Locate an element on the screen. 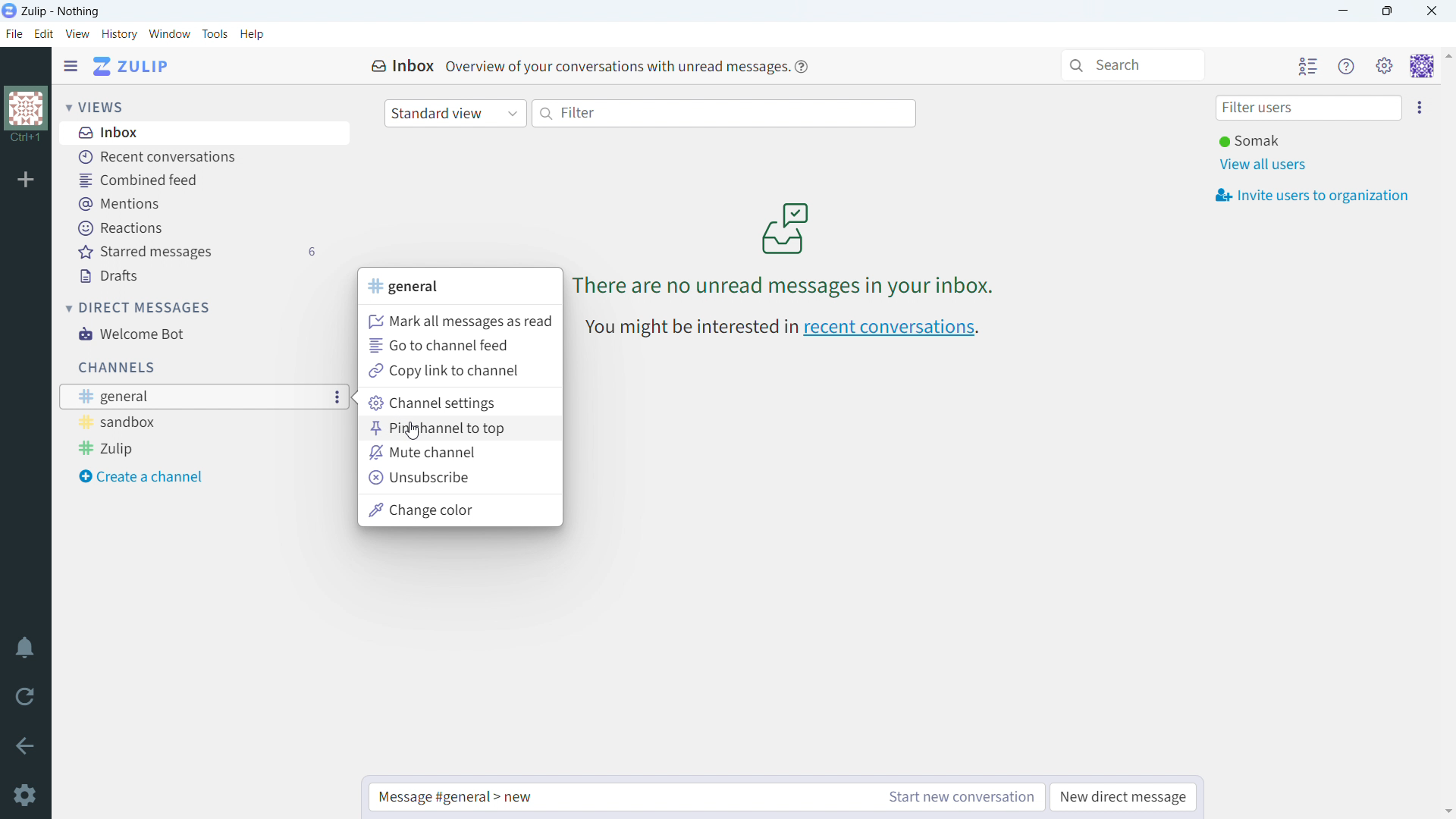 This screenshot has width=1456, height=819. add organization is located at coordinates (25, 178).